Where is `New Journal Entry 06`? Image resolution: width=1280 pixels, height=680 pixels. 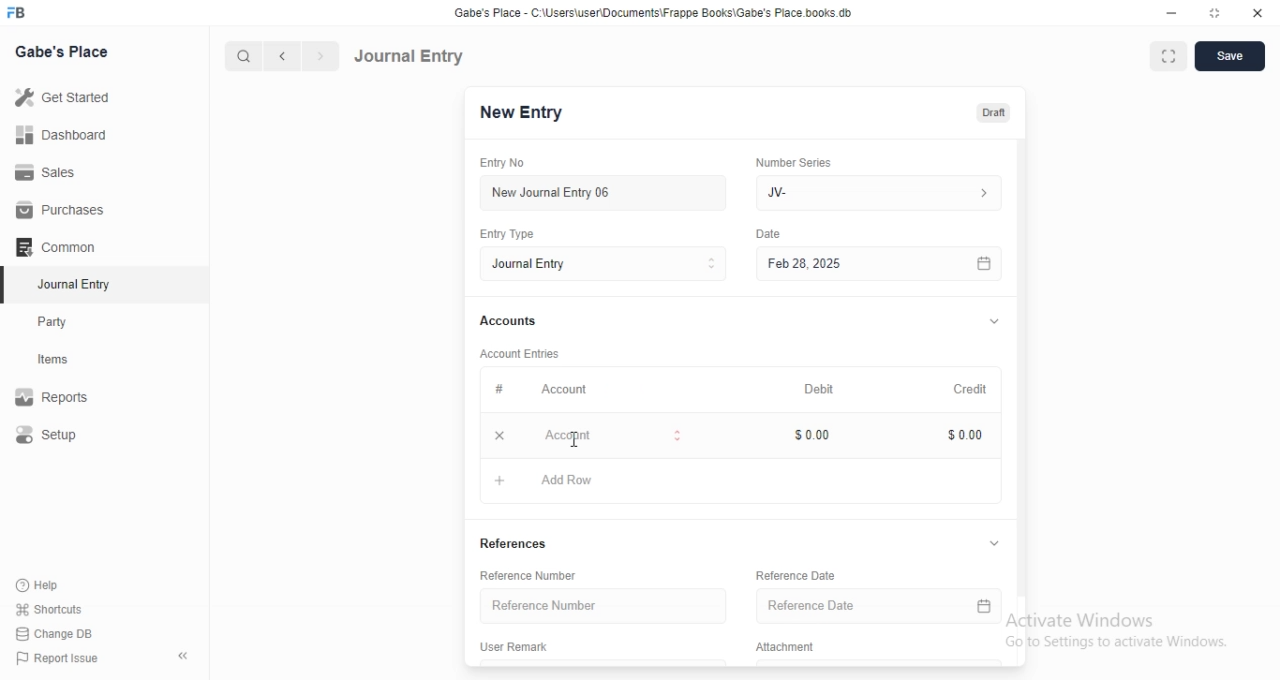
New Journal Entry 06 is located at coordinates (597, 191).